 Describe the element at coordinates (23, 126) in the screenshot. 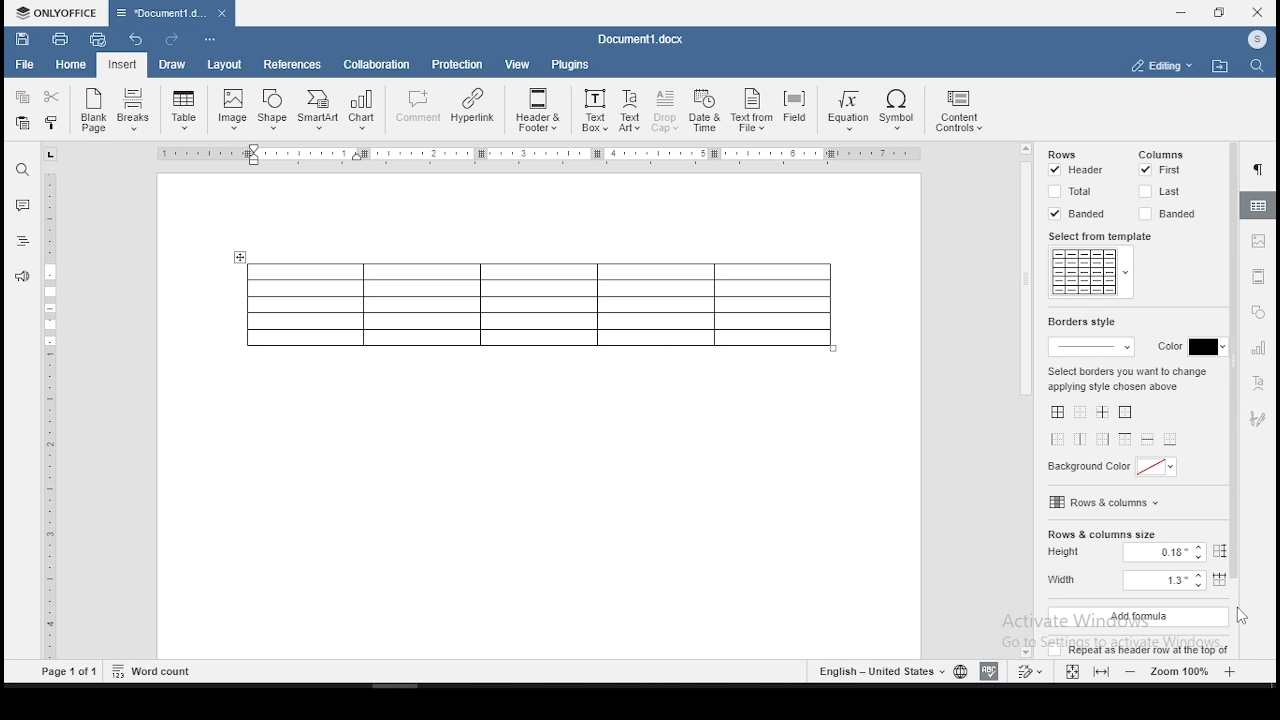

I see `paste` at that location.